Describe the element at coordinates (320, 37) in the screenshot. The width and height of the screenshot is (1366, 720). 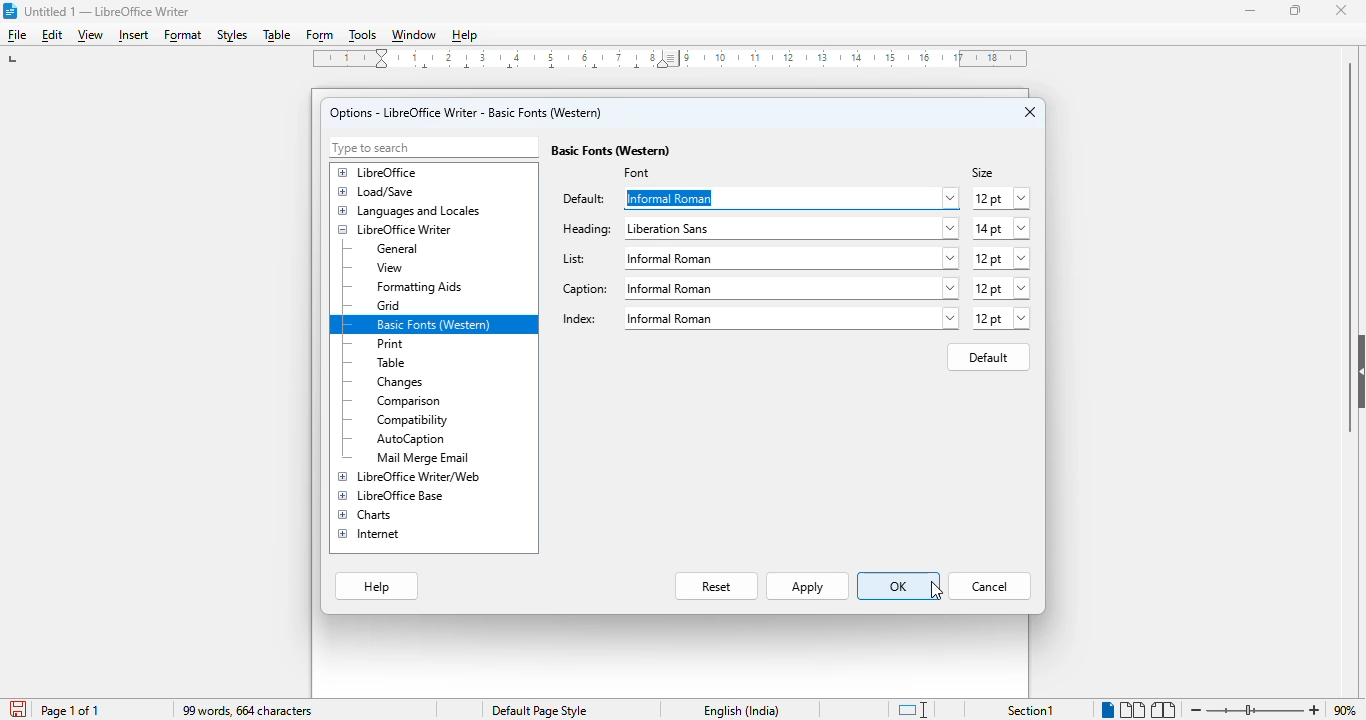
I see `form` at that location.